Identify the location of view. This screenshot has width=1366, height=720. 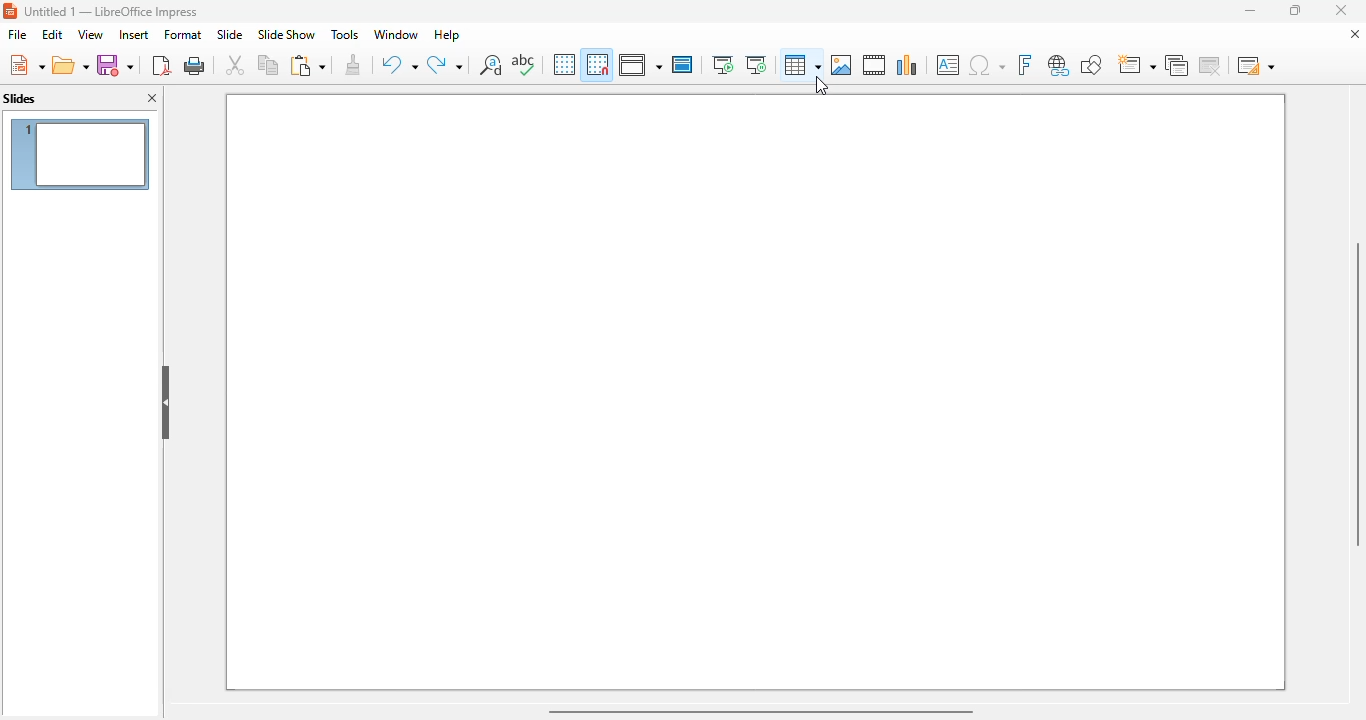
(640, 65).